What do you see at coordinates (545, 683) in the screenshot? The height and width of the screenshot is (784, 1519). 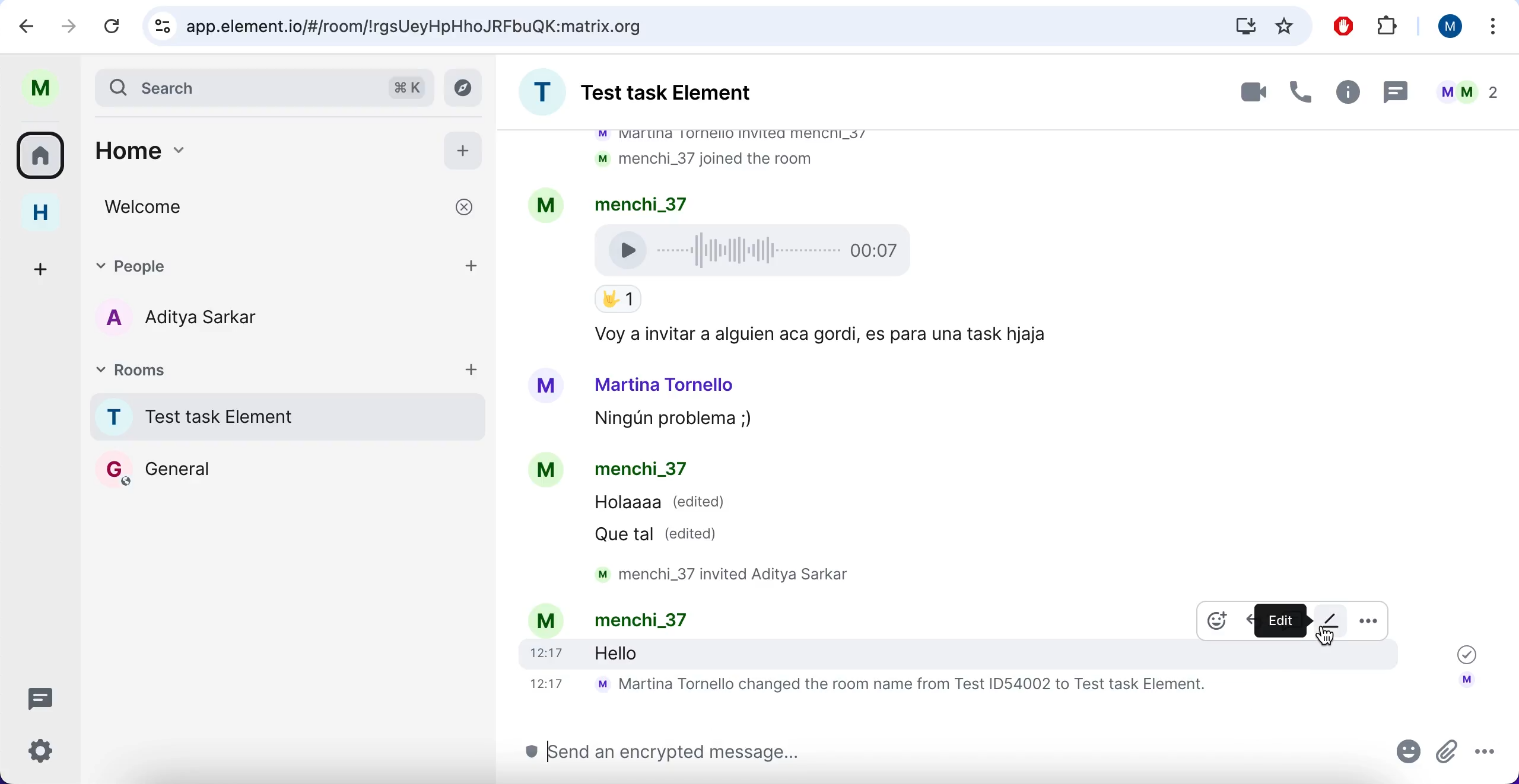 I see `time` at bounding box center [545, 683].